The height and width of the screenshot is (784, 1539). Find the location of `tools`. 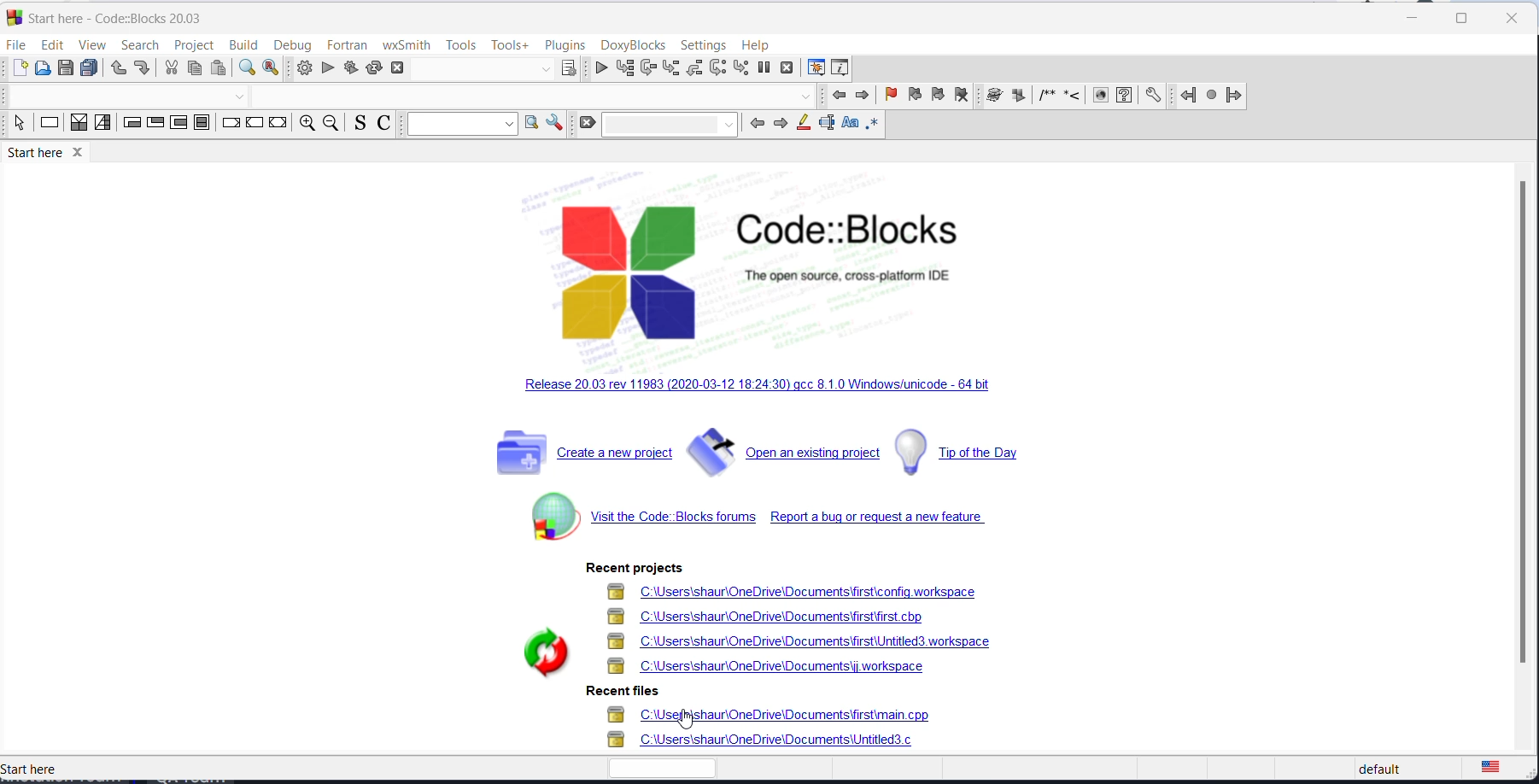

tools is located at coordinates (459, 44).